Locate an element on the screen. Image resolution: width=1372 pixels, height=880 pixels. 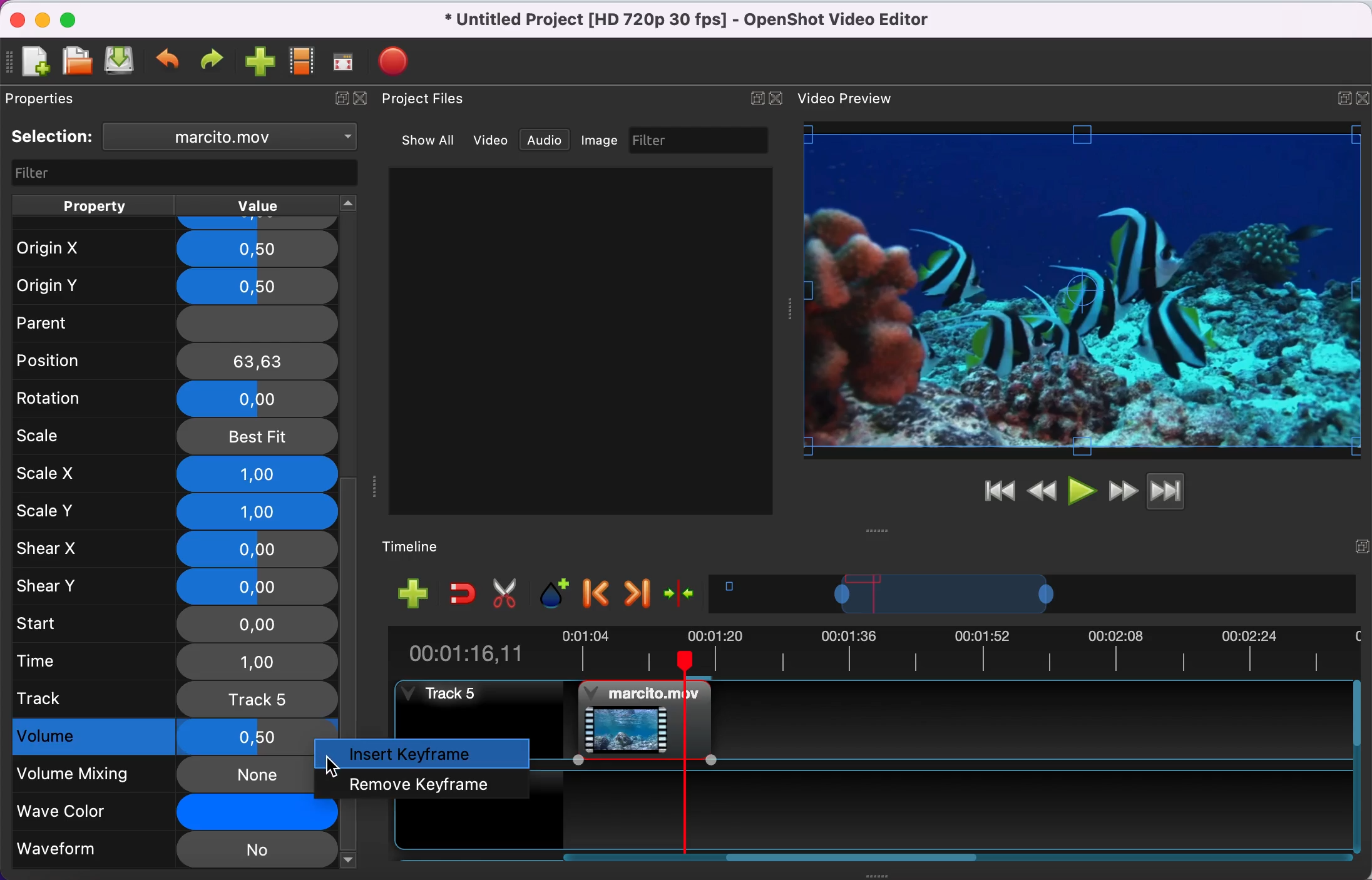
show all is located at coordinates (422, 138).